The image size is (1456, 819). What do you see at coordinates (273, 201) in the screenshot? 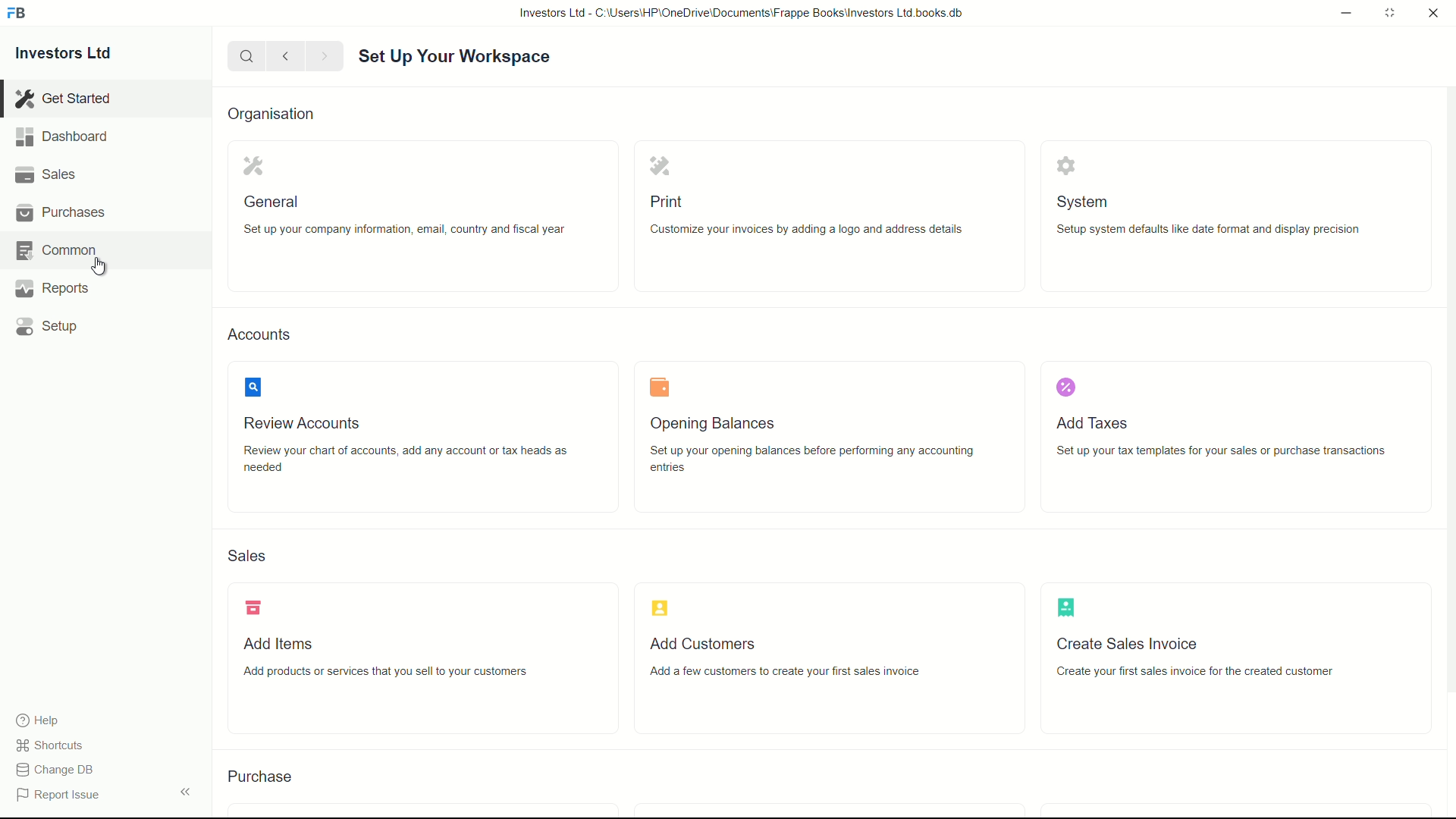
I see `General` at bounding box center [273, 201].